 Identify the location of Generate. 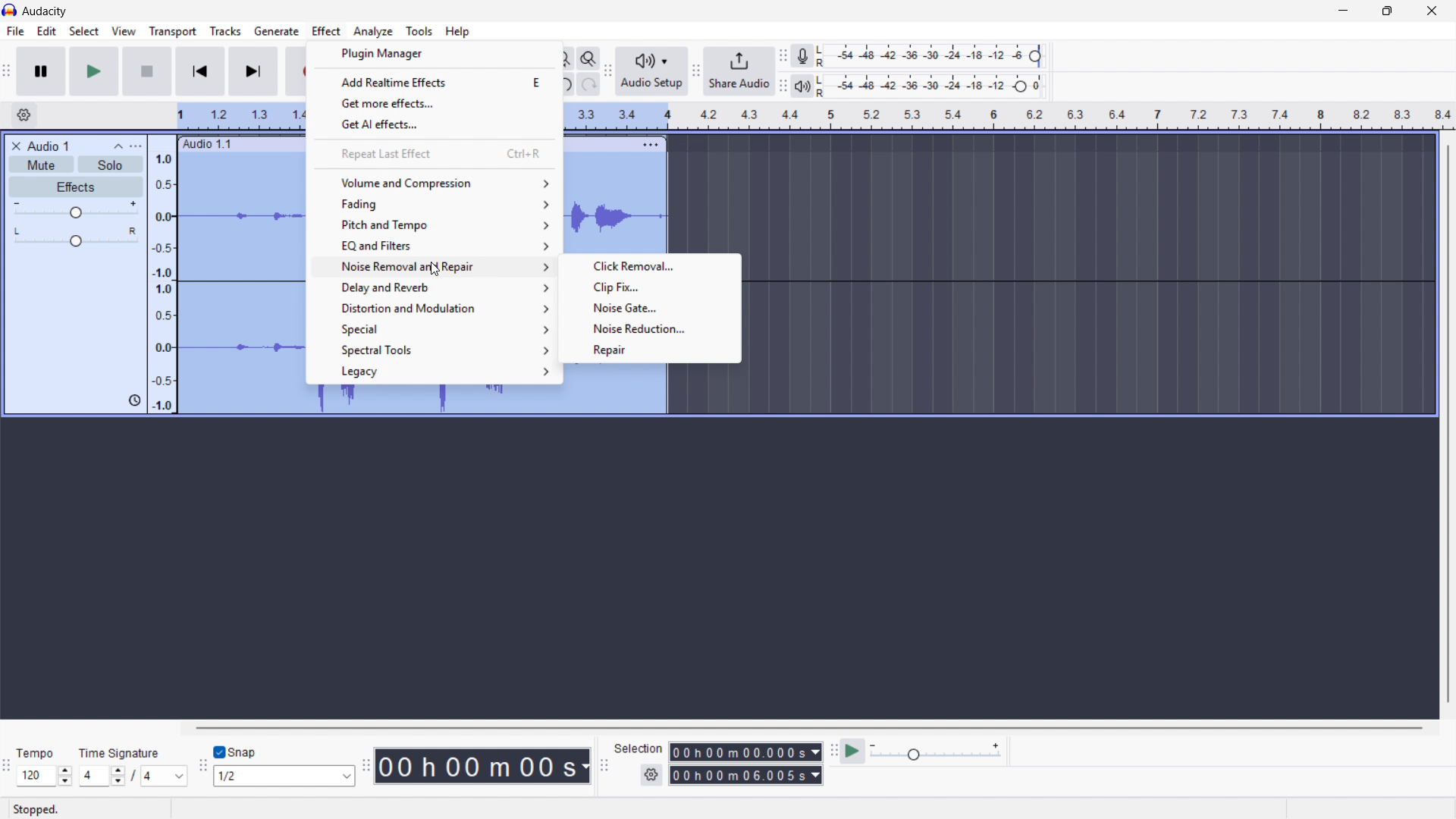
(276, 31).